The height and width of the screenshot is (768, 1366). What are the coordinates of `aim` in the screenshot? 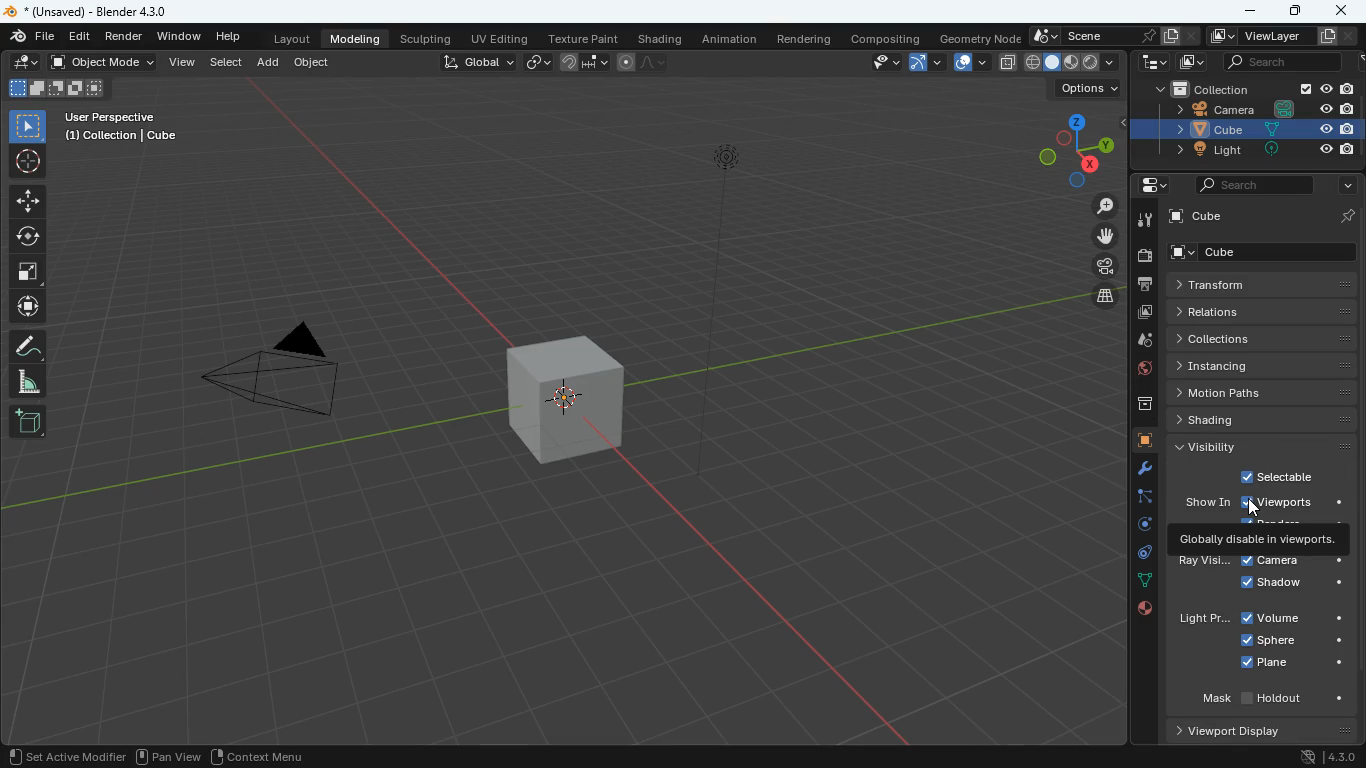 It's located at (28, 163).